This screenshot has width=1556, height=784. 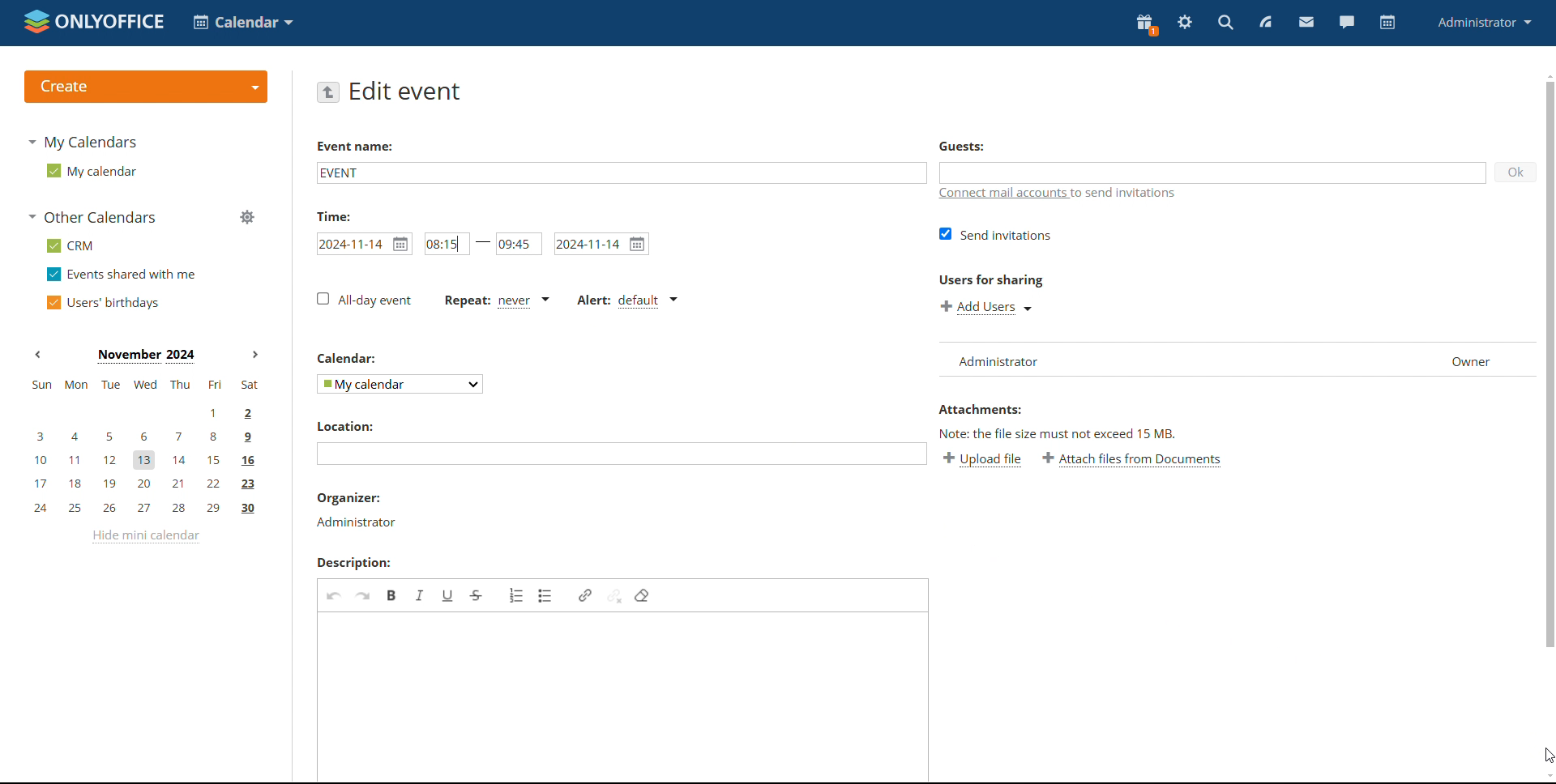 I want to click on manage, so click(x=246, y=218).